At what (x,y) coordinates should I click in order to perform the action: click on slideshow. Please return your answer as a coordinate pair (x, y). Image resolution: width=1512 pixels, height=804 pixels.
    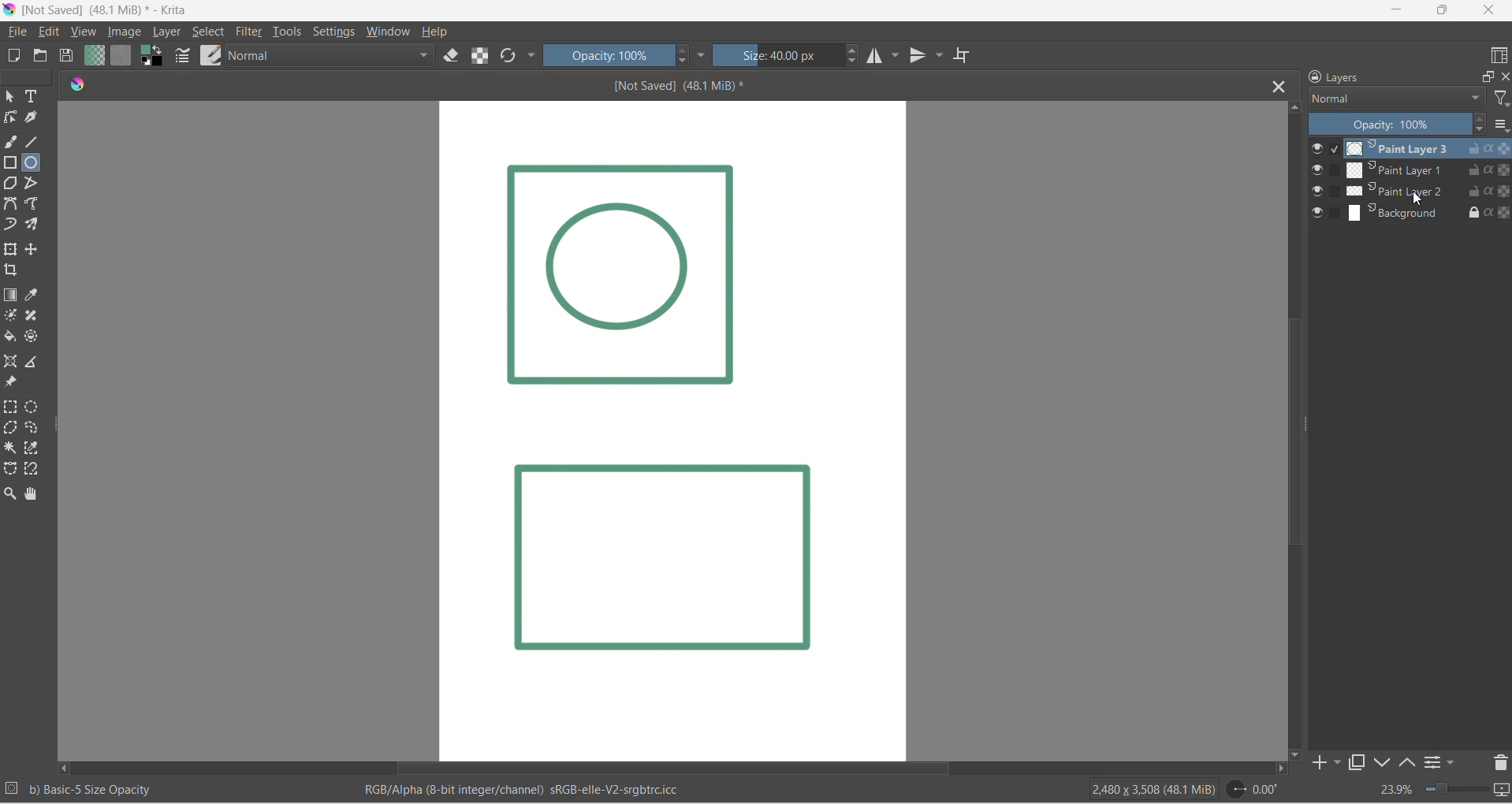
    Looking at the image, I should click on (1503, 792).